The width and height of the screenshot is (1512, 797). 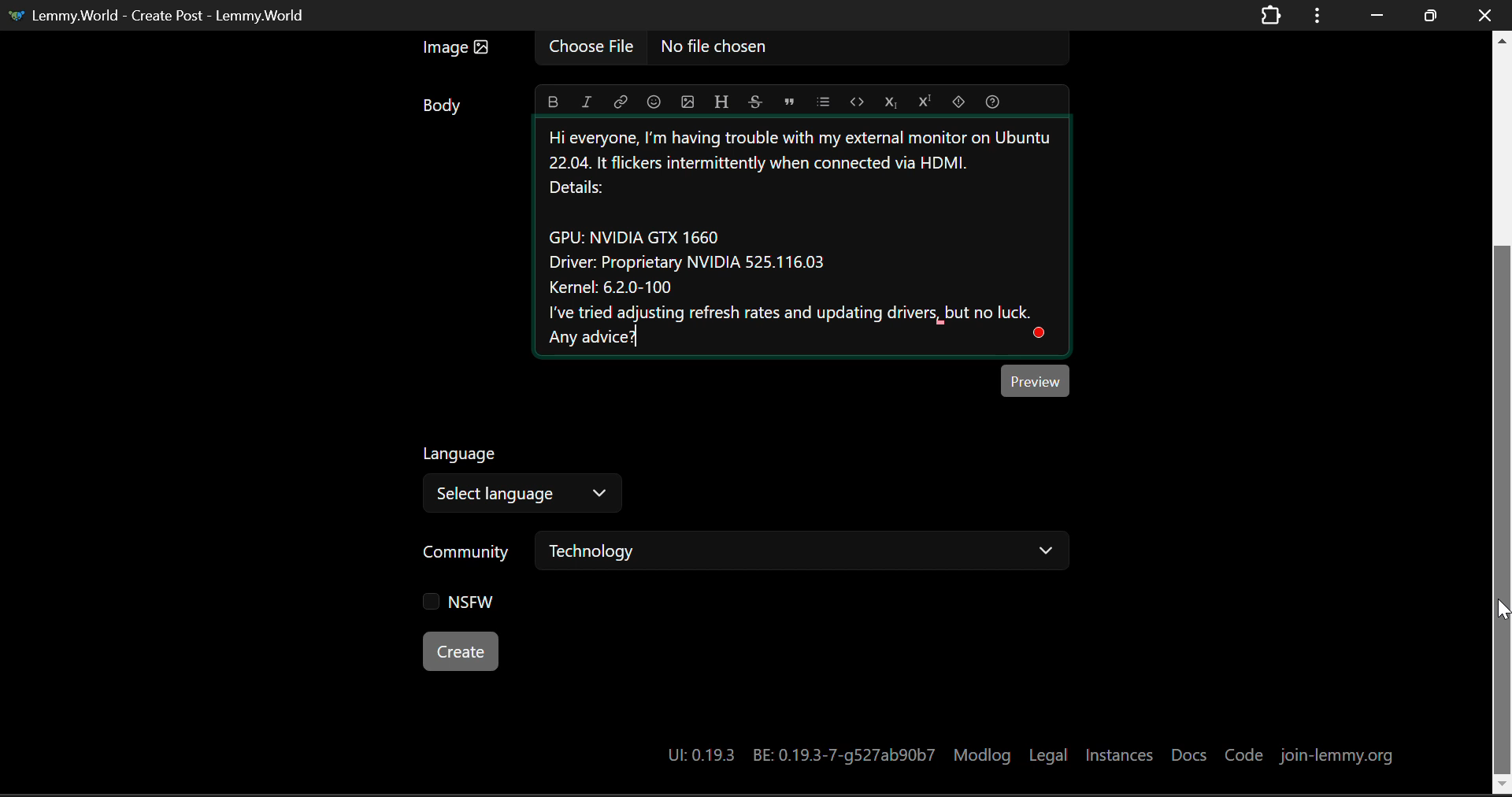 I want to click on Close Window, so click(x=1487, y=14).